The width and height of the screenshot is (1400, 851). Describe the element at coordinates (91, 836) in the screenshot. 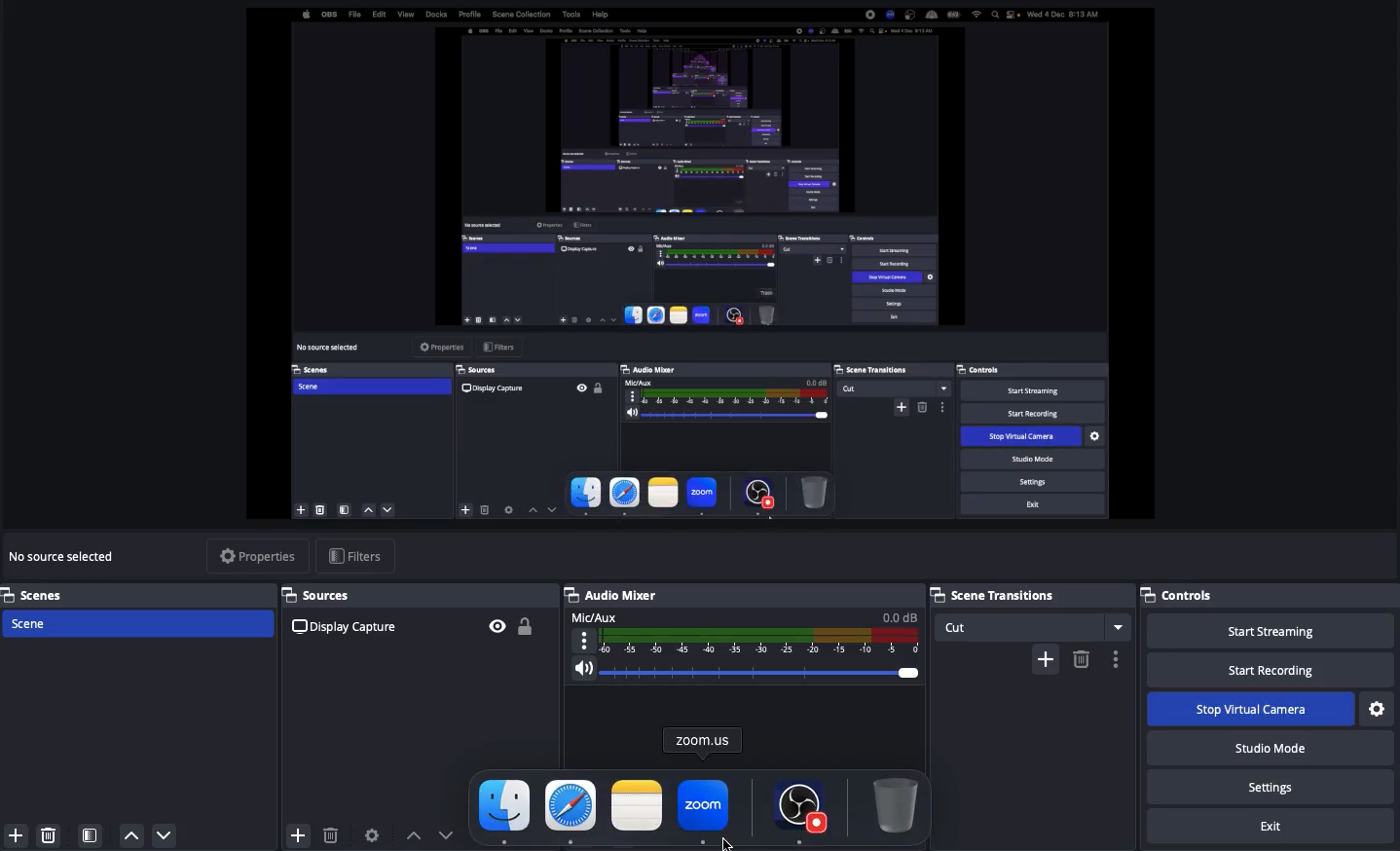

I see `Scene filter` at that location.